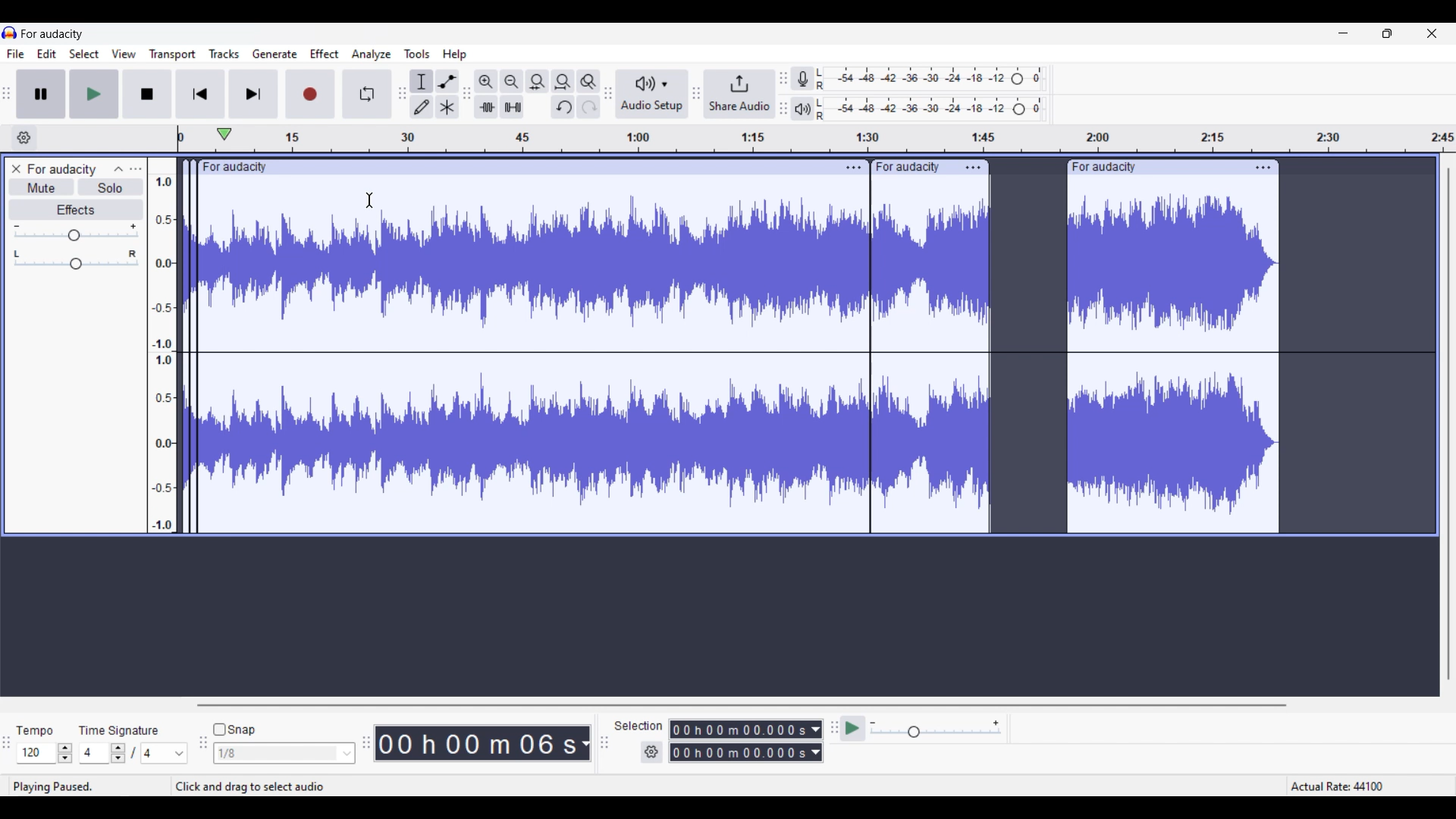 Image resolution: width=1456 pixels, height=819 pixels. Describe the element at coordinates (422, 80) in the screenshot. I see `selection tool` at that location.